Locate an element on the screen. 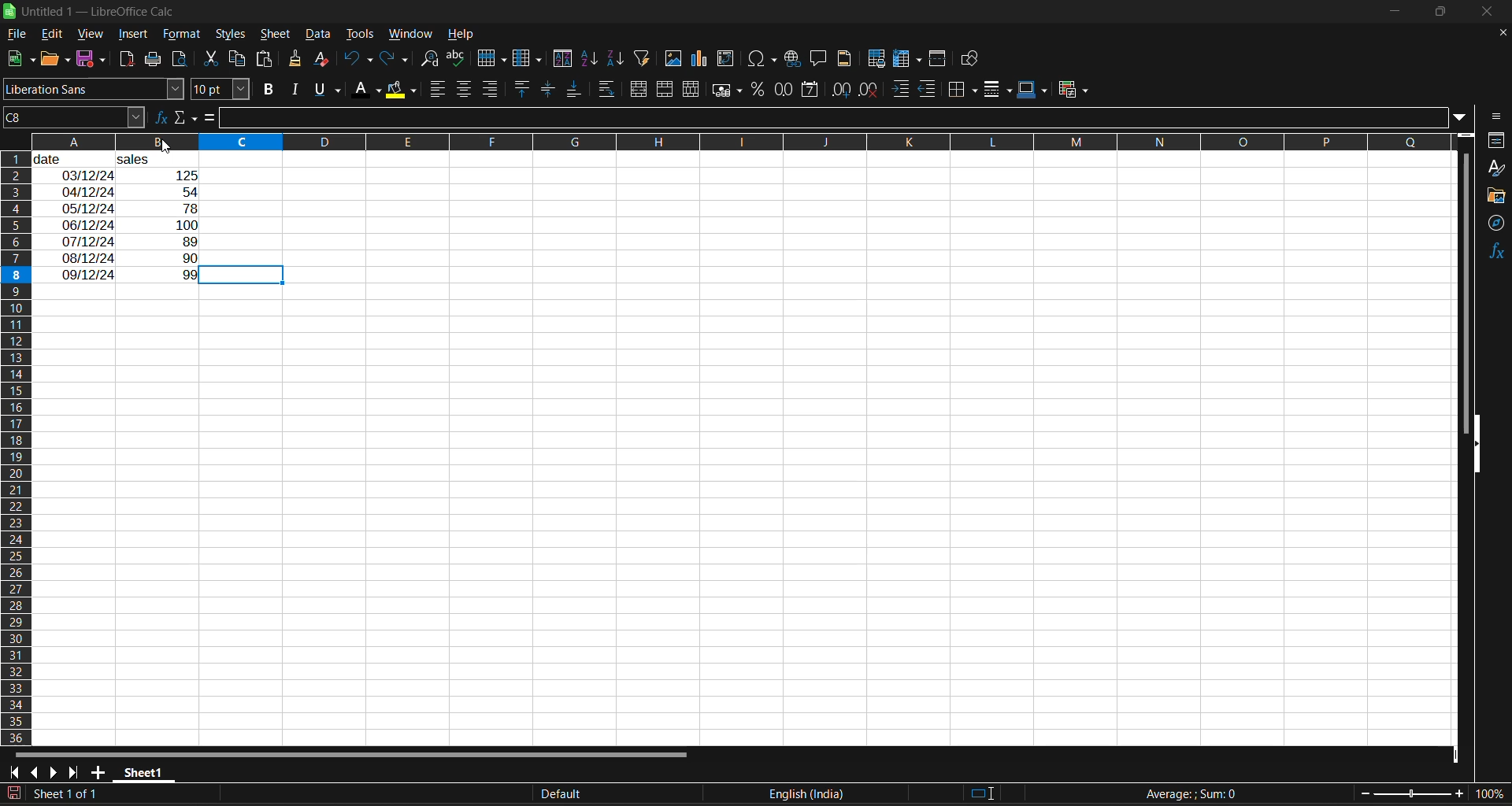 The height and width of the screenshot is (806, 1512). spelling is located at coordinates (458, 58).